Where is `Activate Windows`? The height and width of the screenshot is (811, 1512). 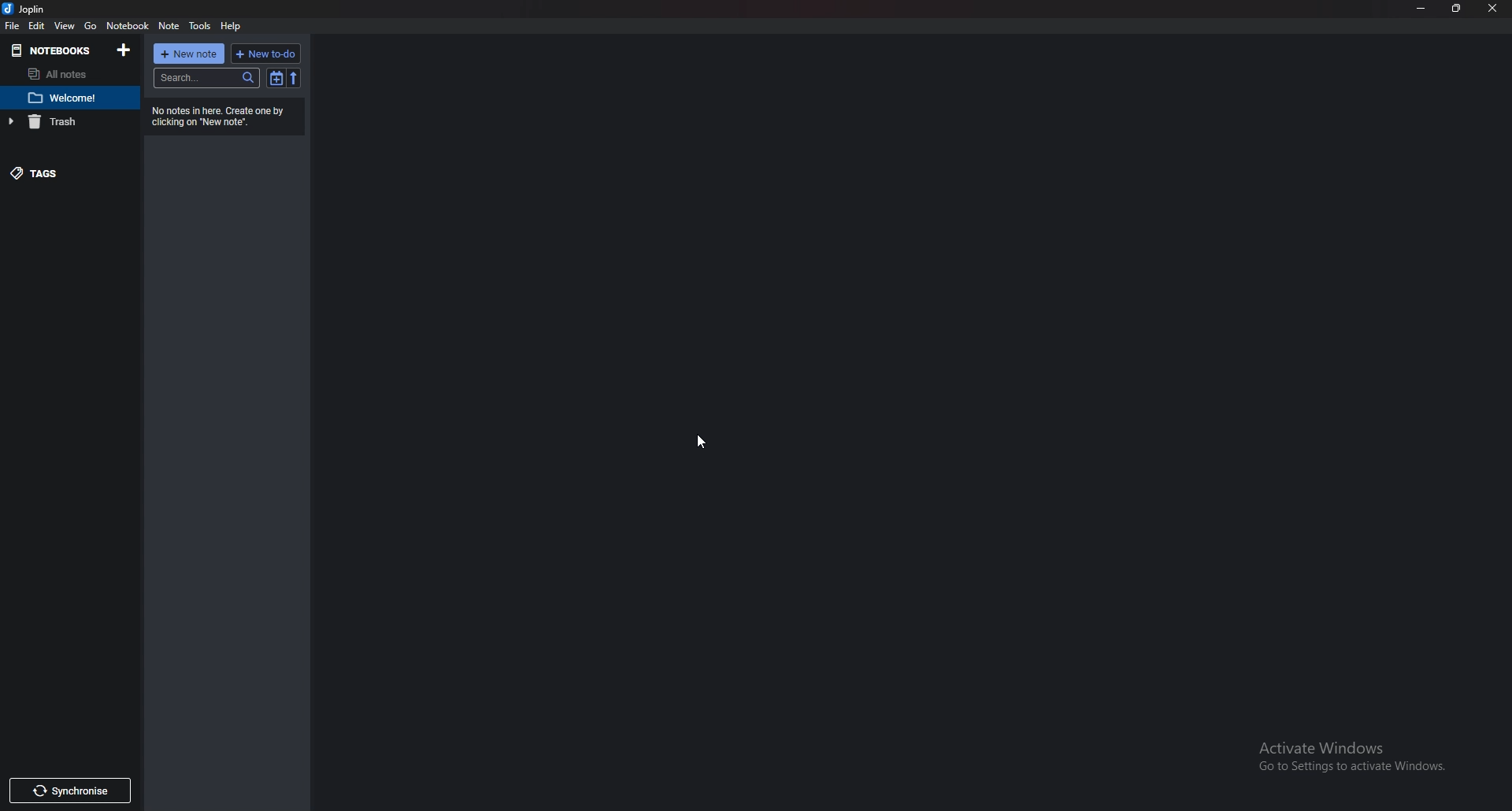 Activate Windows is located at coordinates (1325, 746).